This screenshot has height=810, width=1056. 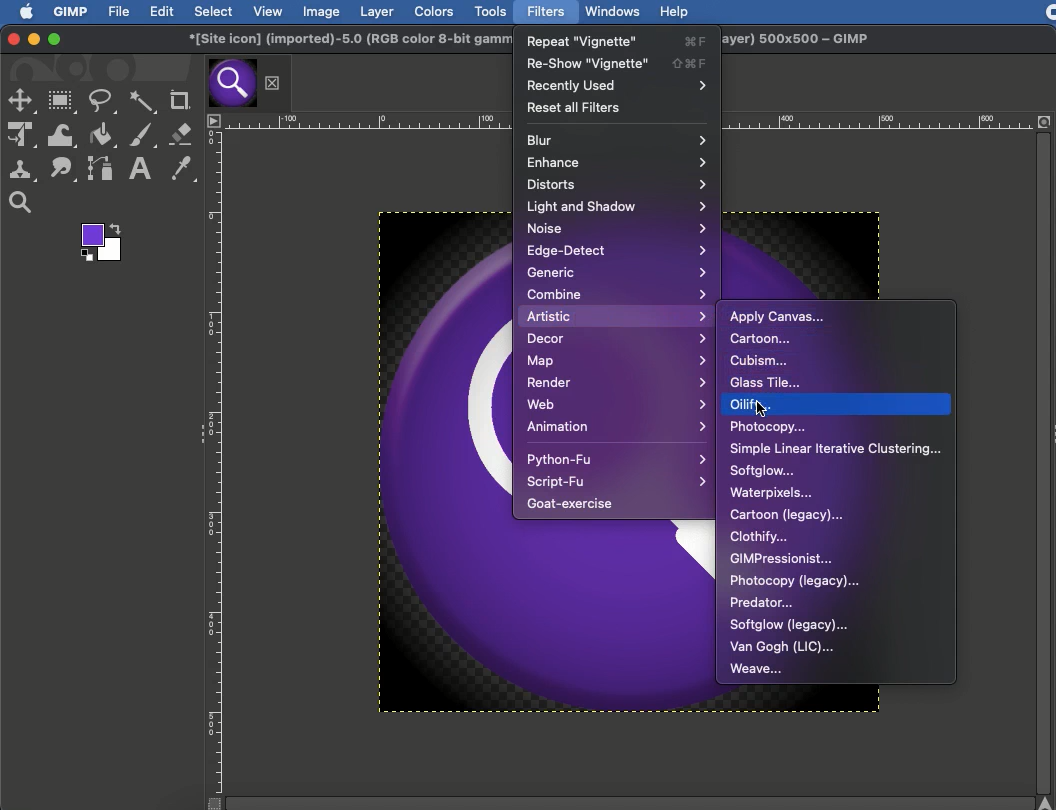 I want to click on Color picker, so click(x=182, y=167).